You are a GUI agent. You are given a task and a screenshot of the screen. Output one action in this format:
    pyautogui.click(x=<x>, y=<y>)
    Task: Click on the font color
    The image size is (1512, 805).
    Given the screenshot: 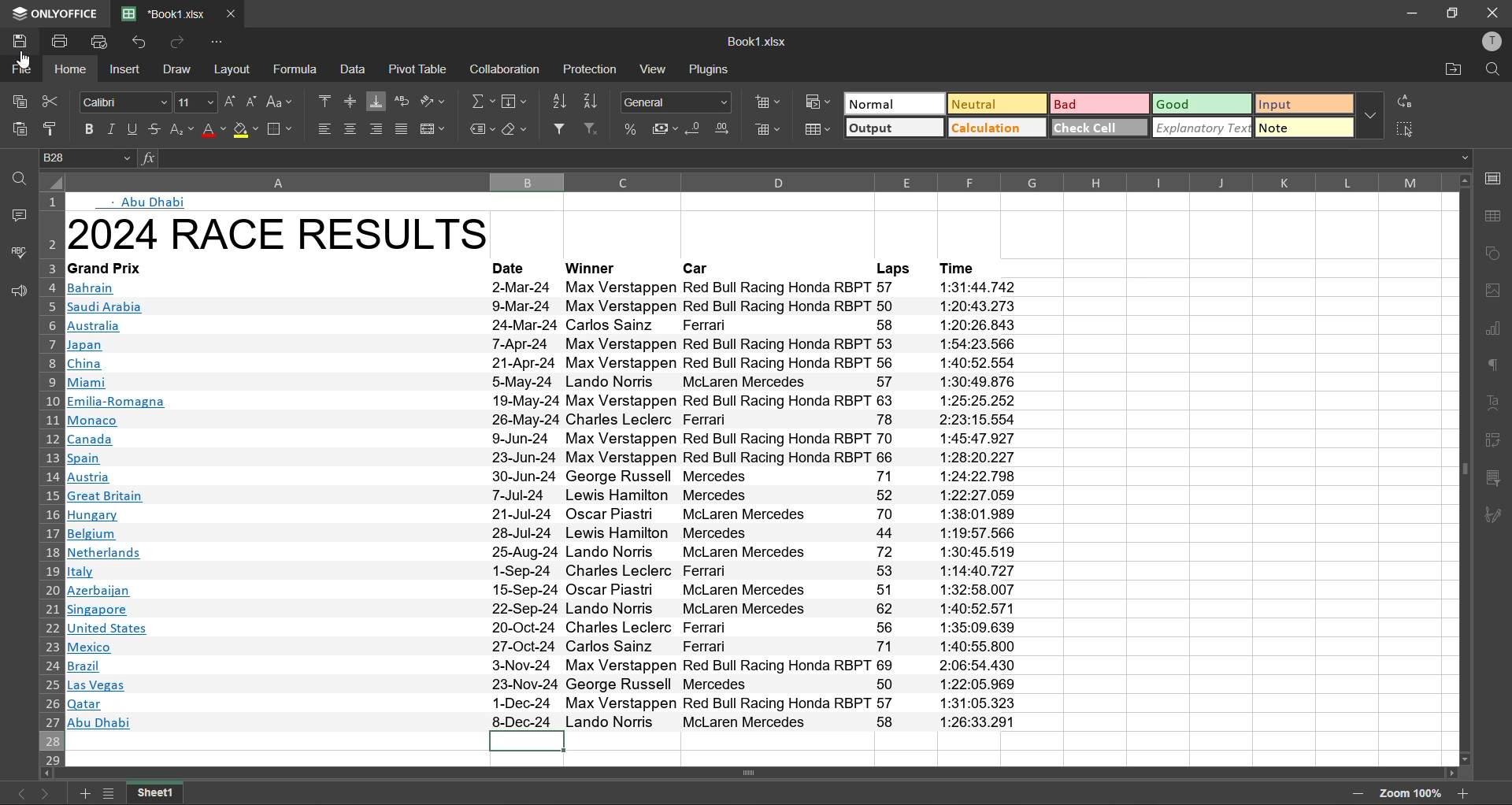 What is the action you would take?
    pyautogui.click(x=212, y=130)
    